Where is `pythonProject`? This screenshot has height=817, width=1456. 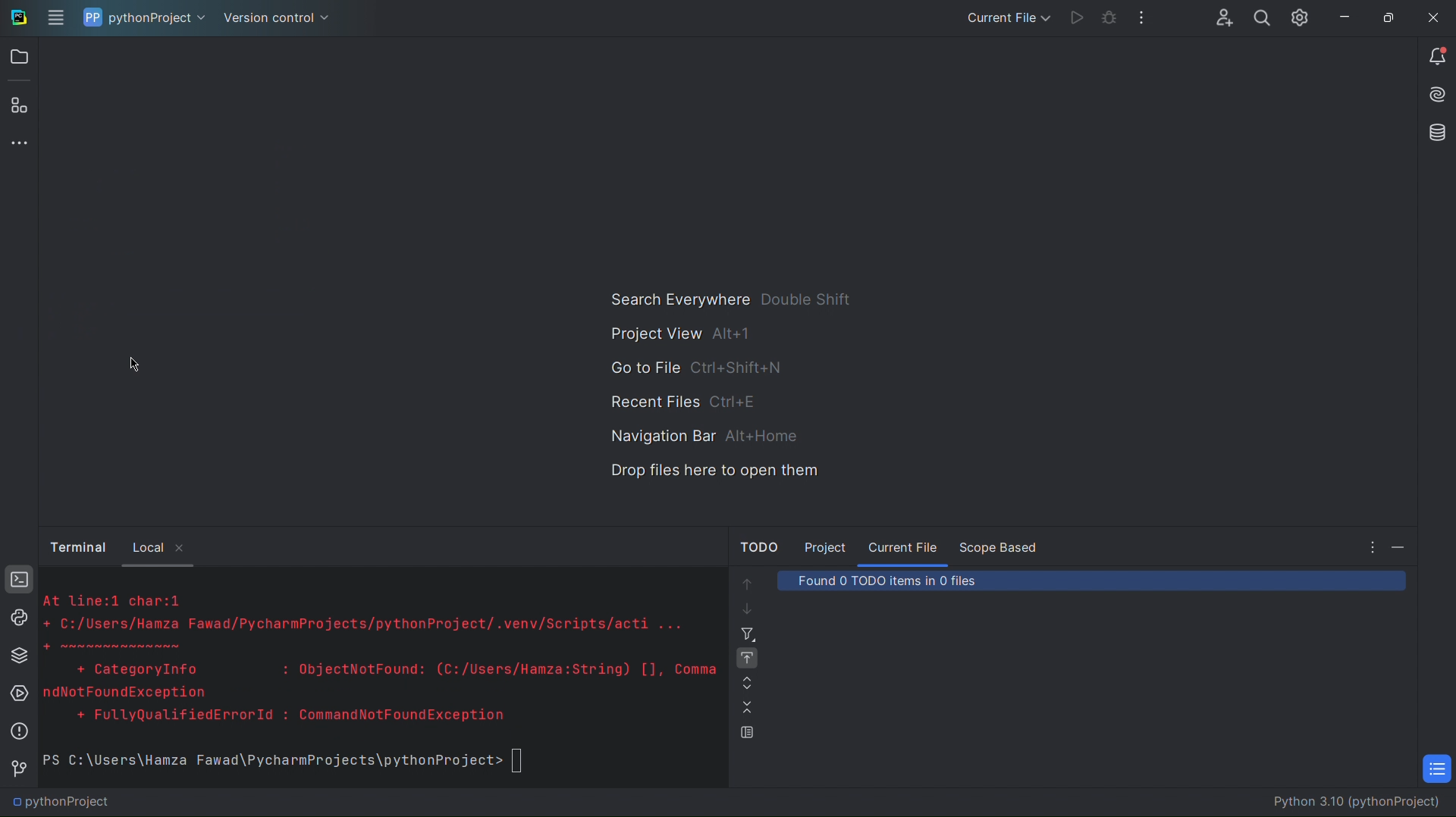
pythonProject is located at coordinates (146, 19).